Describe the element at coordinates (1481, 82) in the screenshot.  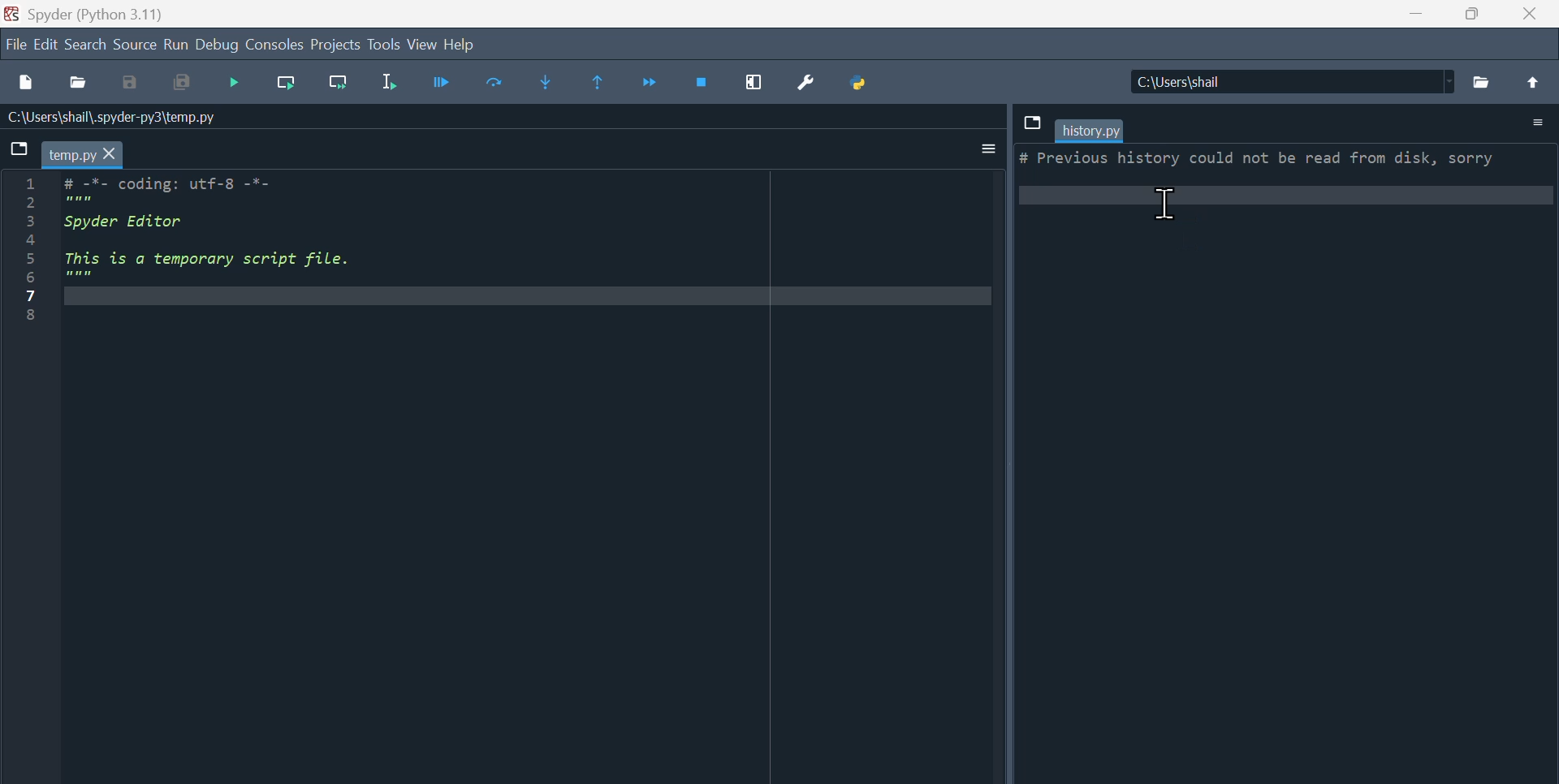
I see `Browse` at that location.